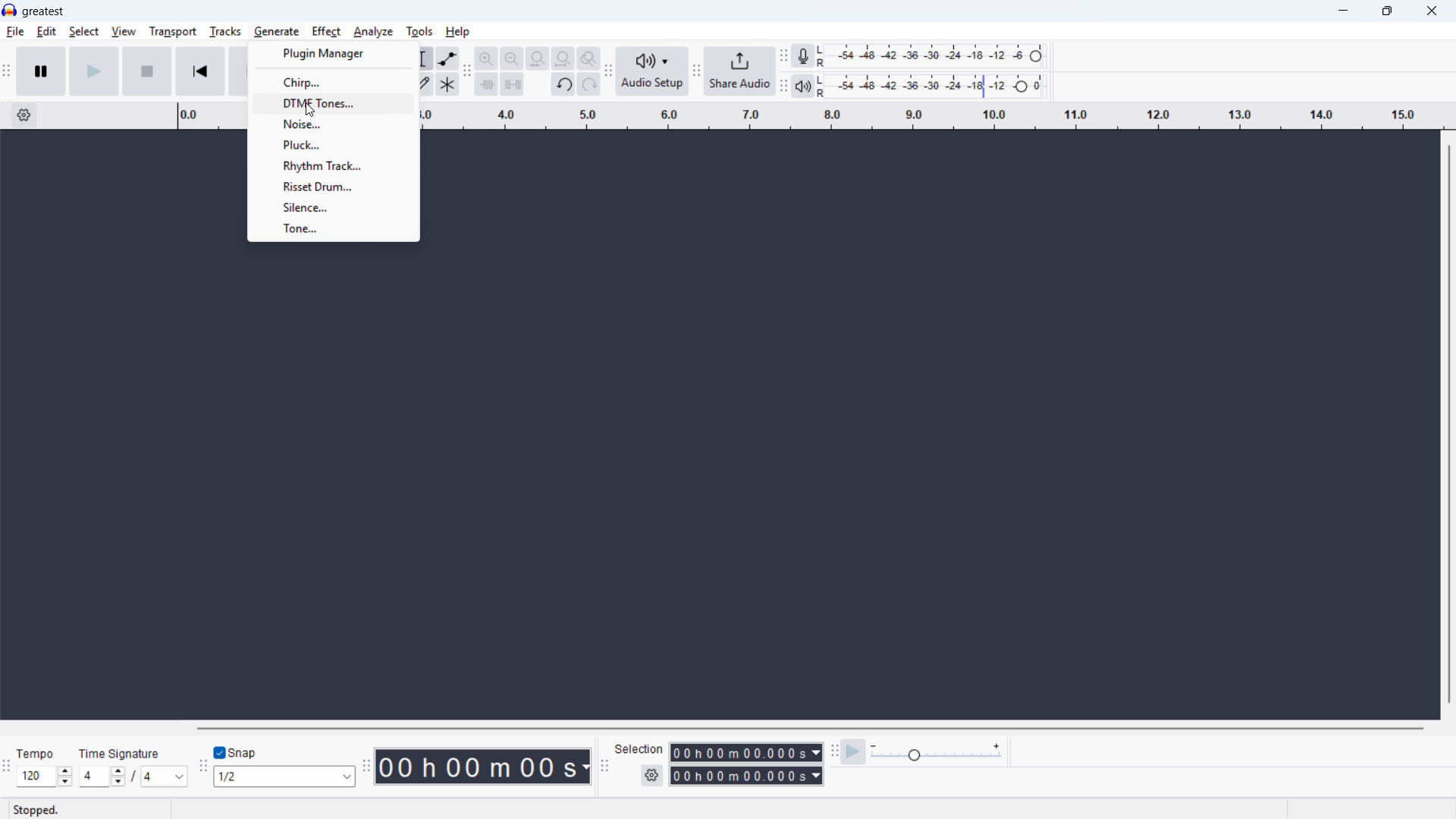  I want to click on tracks, so click(224, 31).